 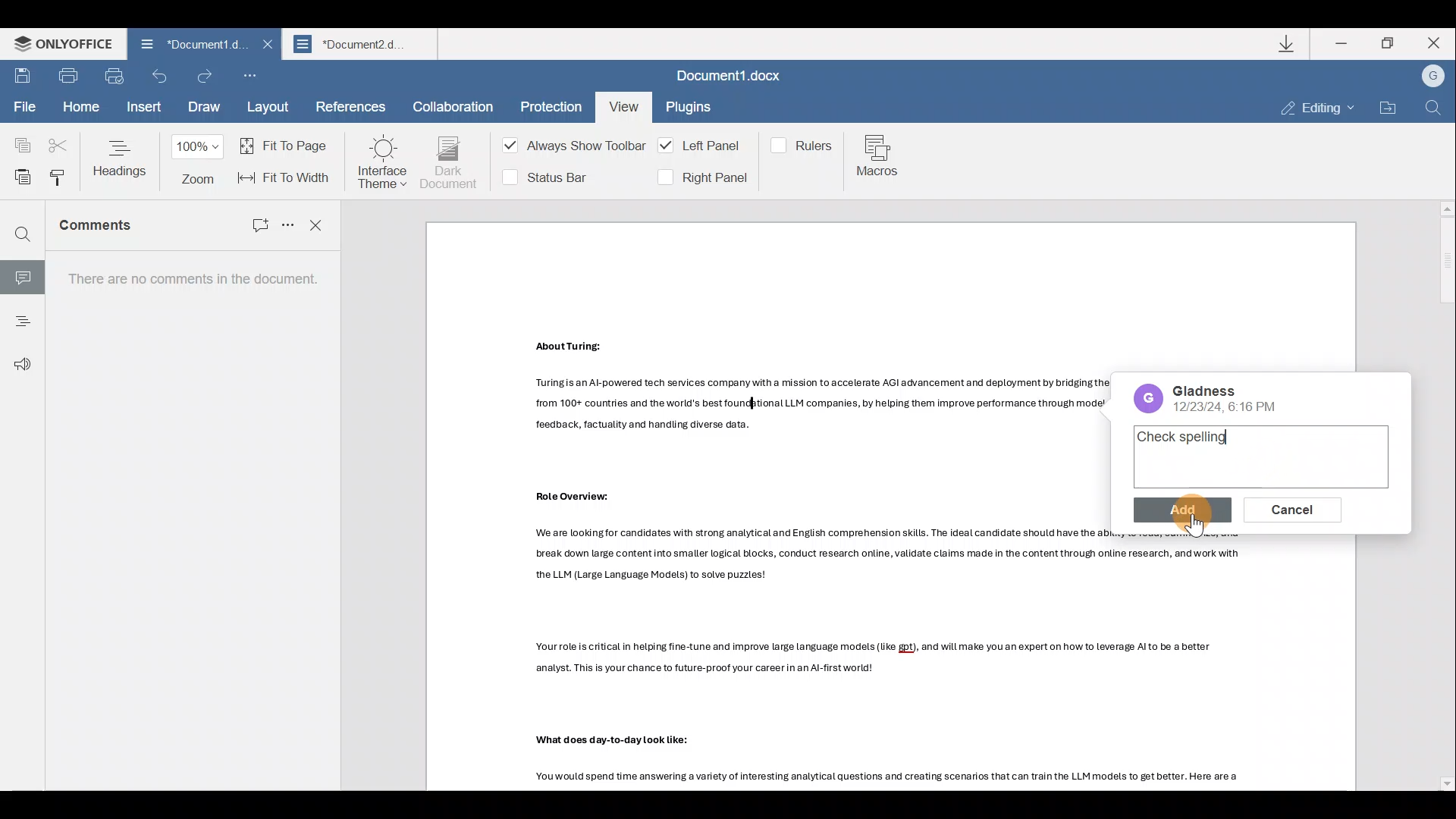 What do you see at coordinates (202, 108) in the screenshot?
I see `Draw` at bounding box center [202, 108].